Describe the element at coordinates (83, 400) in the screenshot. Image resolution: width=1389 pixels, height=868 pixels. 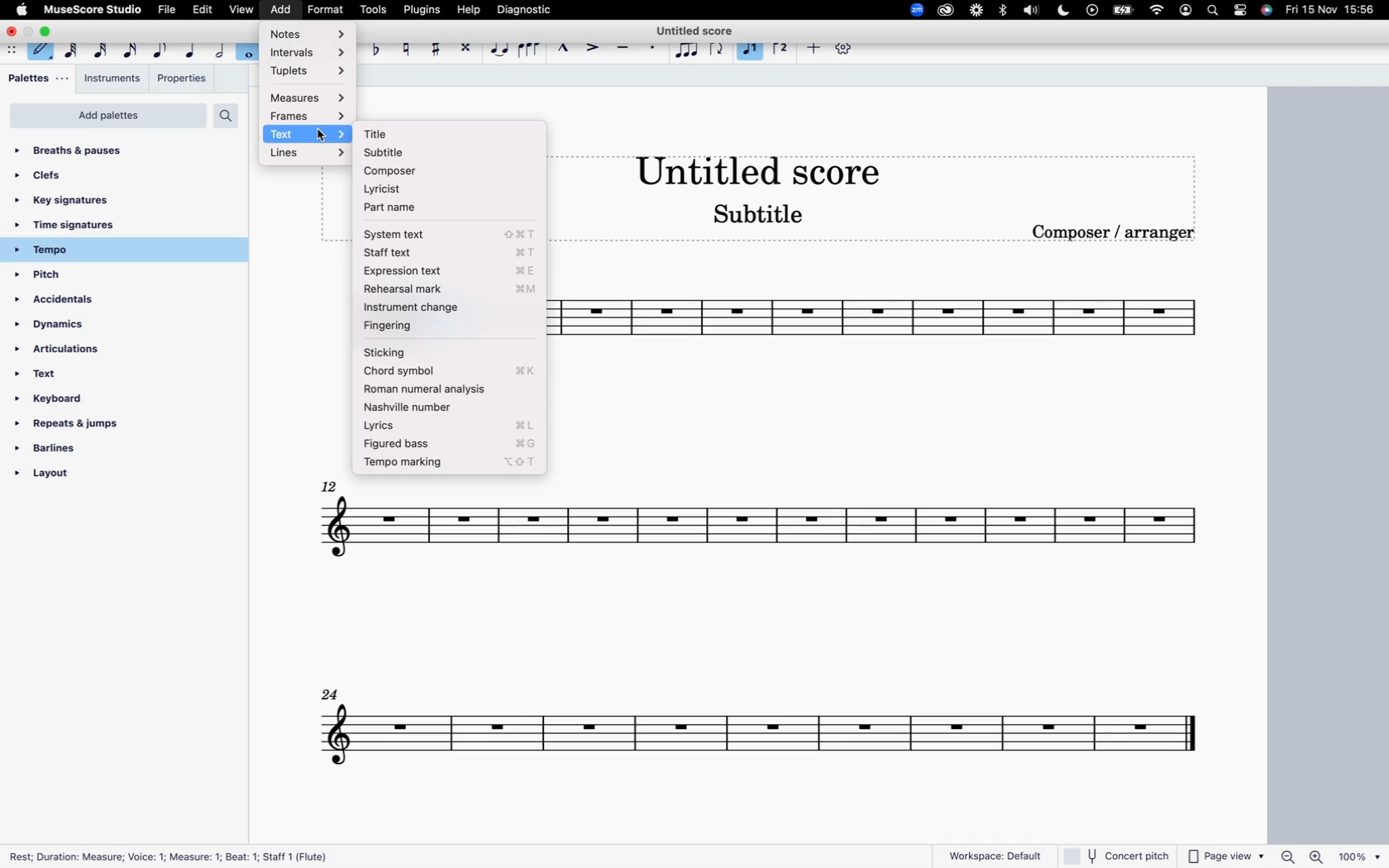
I see `keyboard` at that location.